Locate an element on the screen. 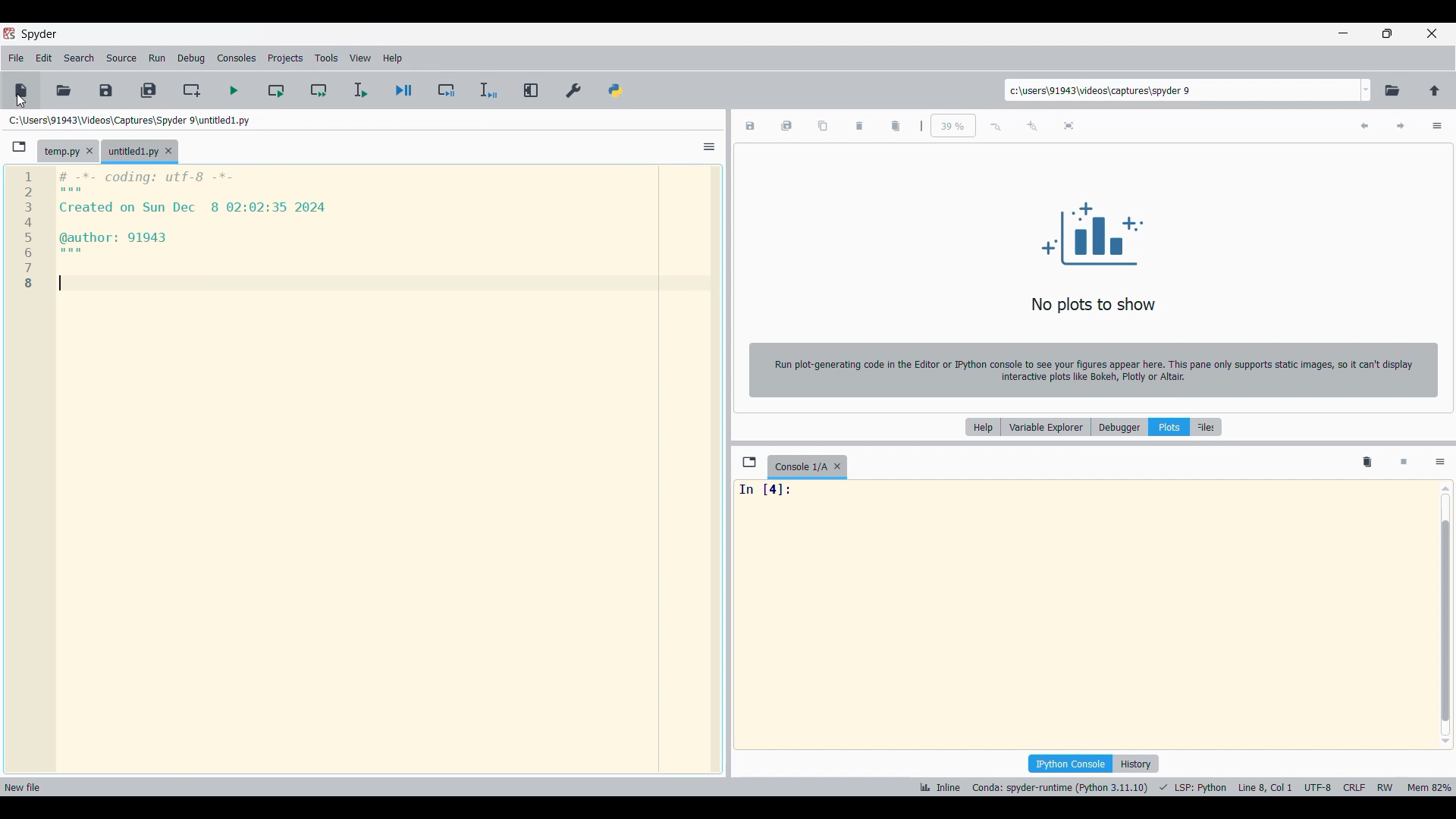  Close interface is located at coordinates (1432, 33).